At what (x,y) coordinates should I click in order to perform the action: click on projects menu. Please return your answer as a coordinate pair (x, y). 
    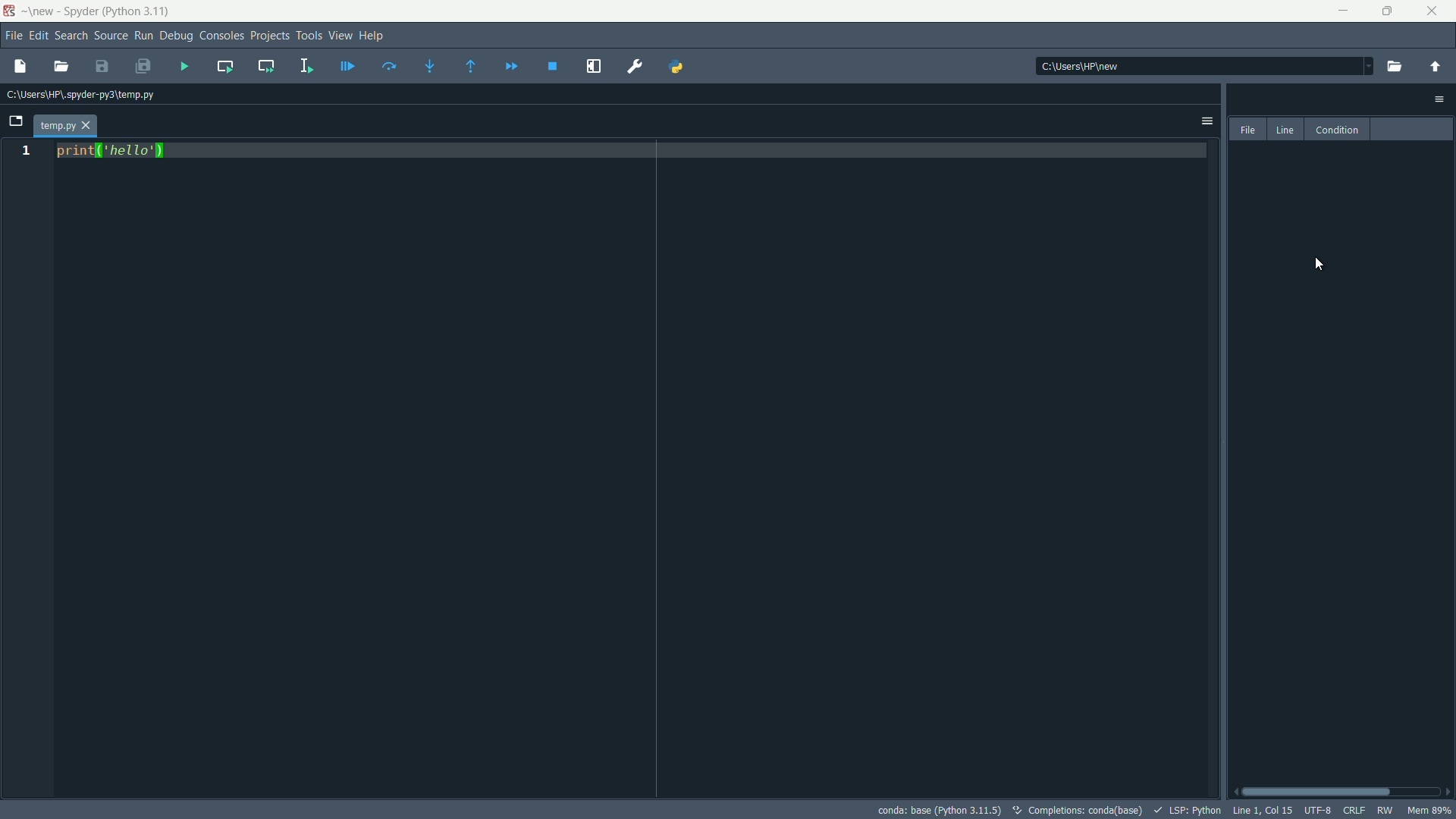
    Looking at the image, I should click on (270, 36).